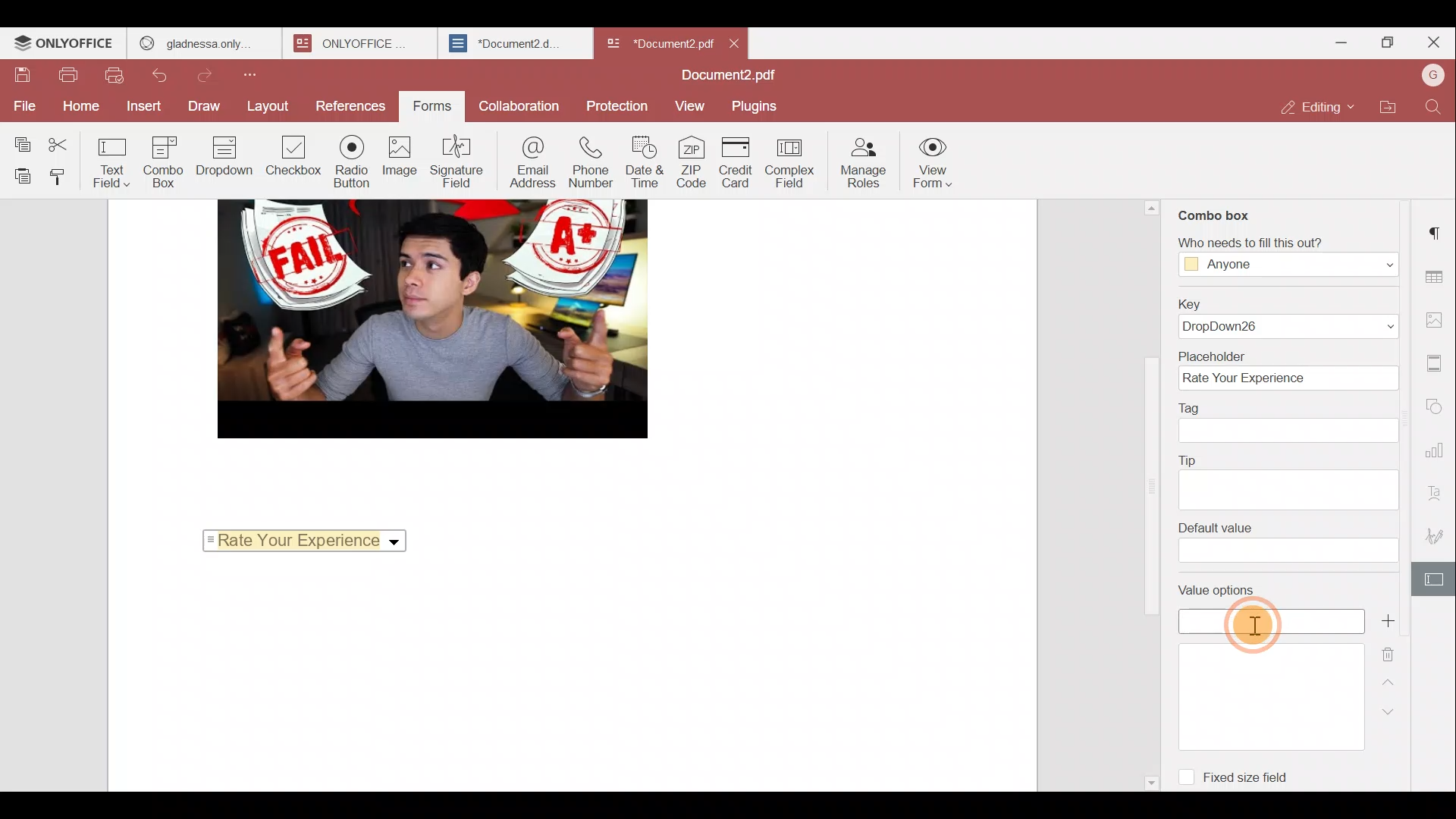 The height and width of the screenshot is (819, 1456). What do you see at coordinates (692, 105) in the screenshot?
I see `View` at bounding box center [692, 105].